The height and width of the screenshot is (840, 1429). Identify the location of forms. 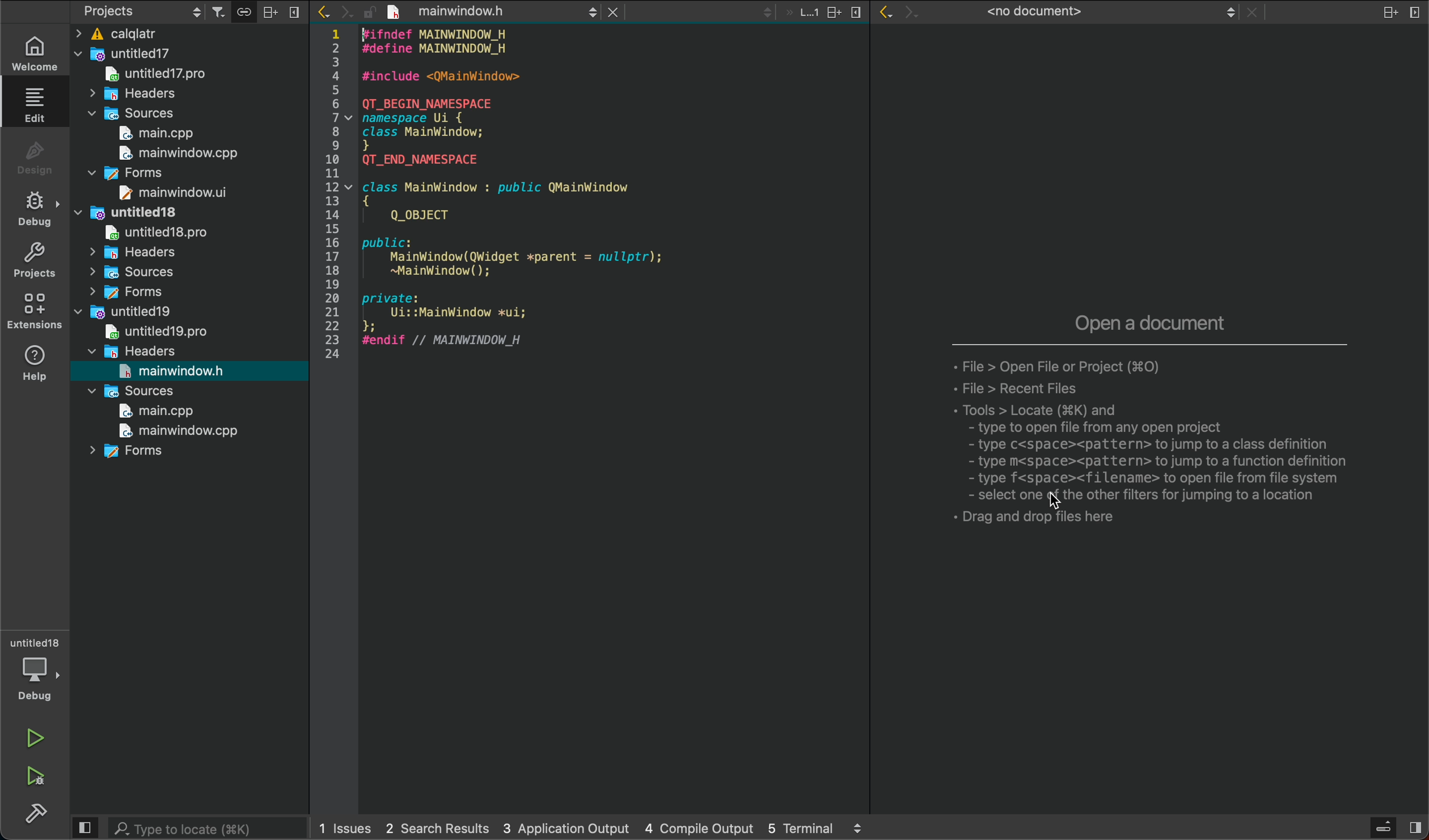
(126, 290).